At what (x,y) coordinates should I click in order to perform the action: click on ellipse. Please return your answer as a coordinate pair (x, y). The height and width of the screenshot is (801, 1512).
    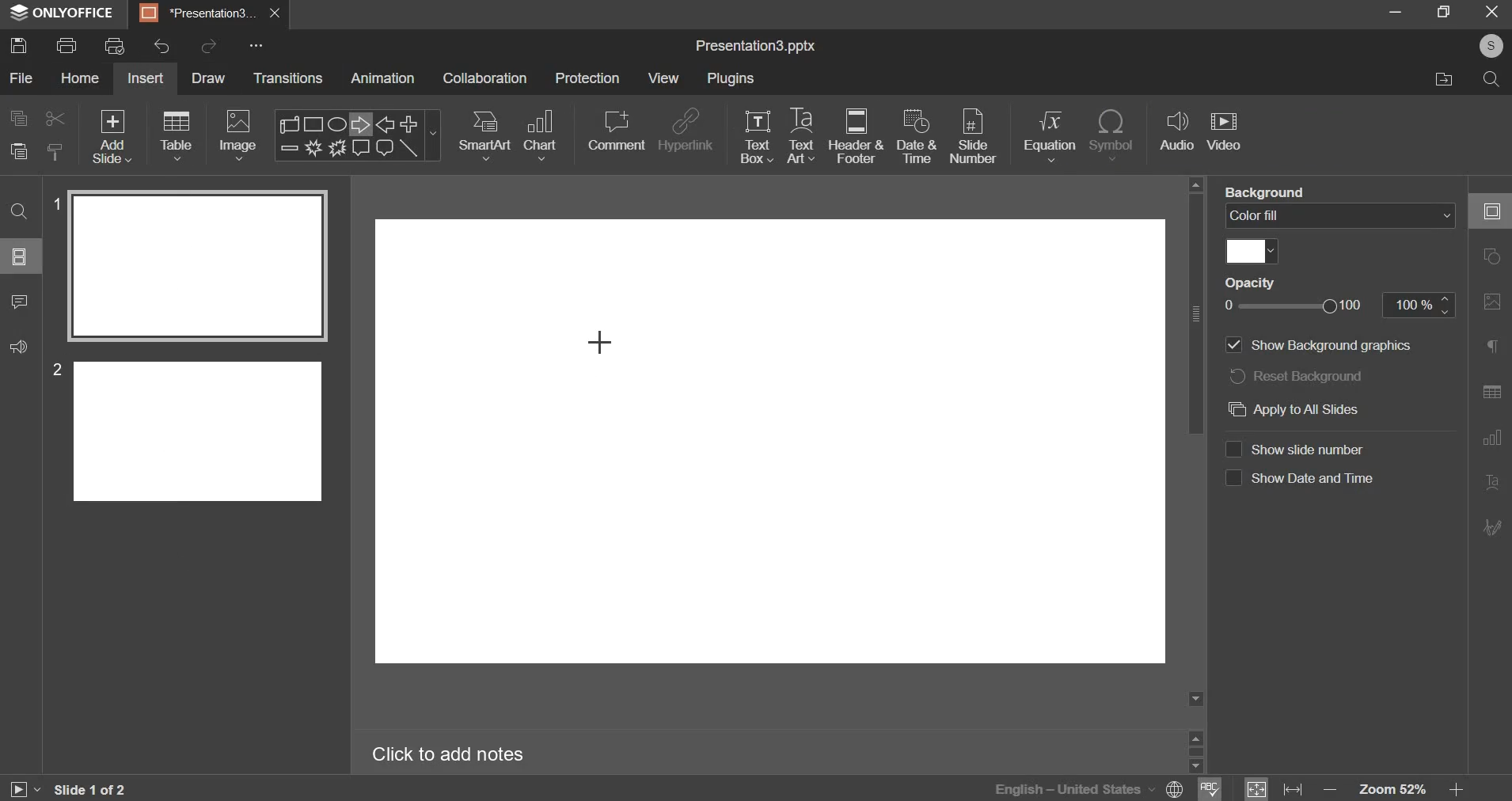
    Looking at the image, I should click on (336, 123).